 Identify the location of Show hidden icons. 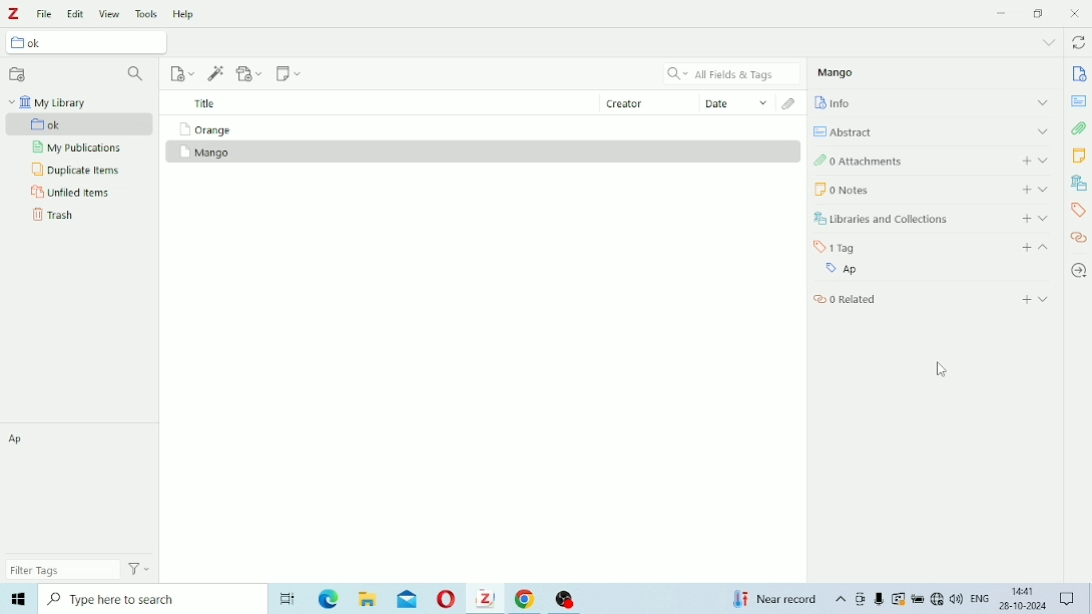
(841, 600).